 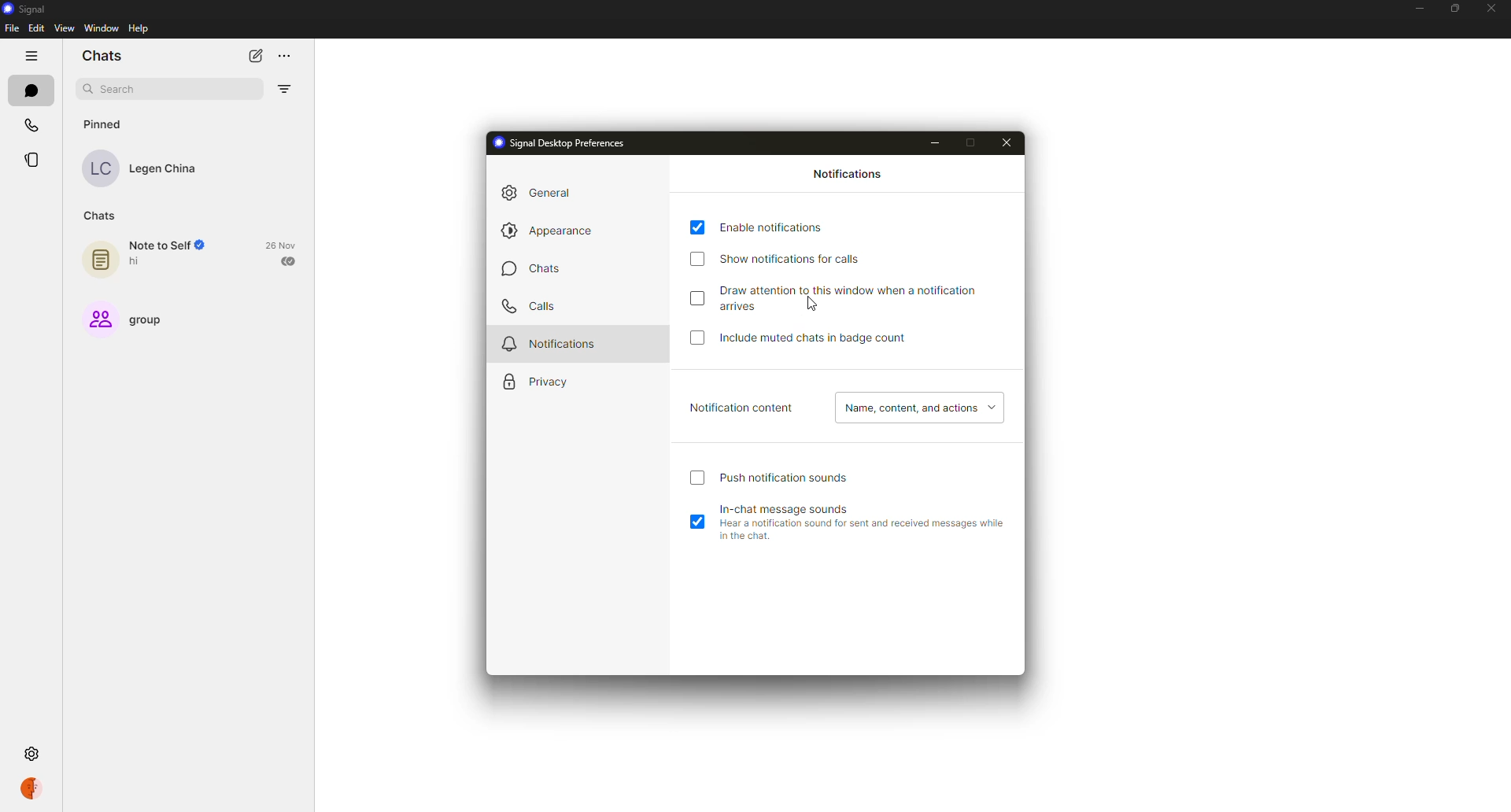 I want to click on chats, so click(x=102, y=214).